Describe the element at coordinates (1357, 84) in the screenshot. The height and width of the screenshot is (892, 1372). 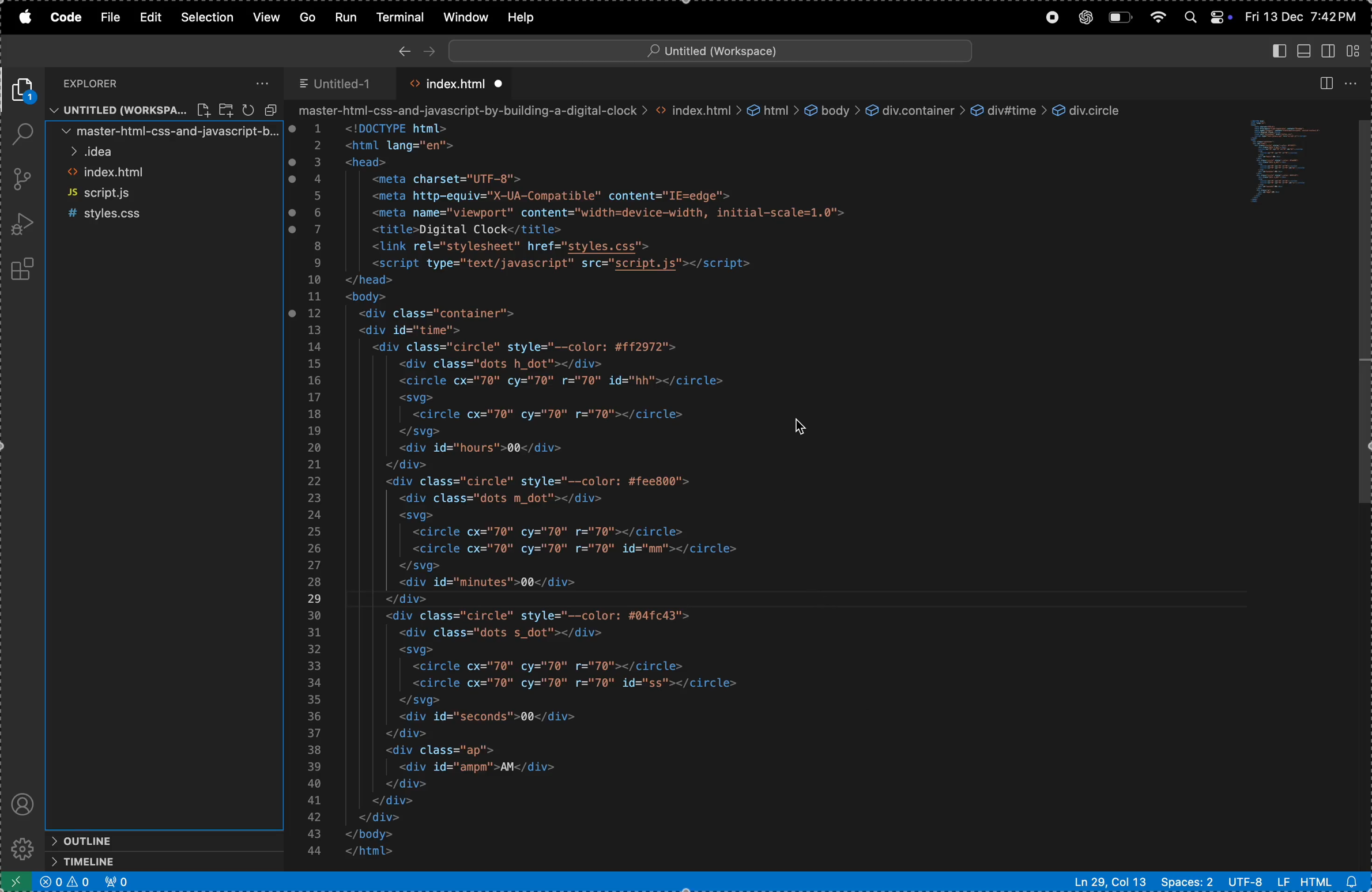
I see `options` at that location.